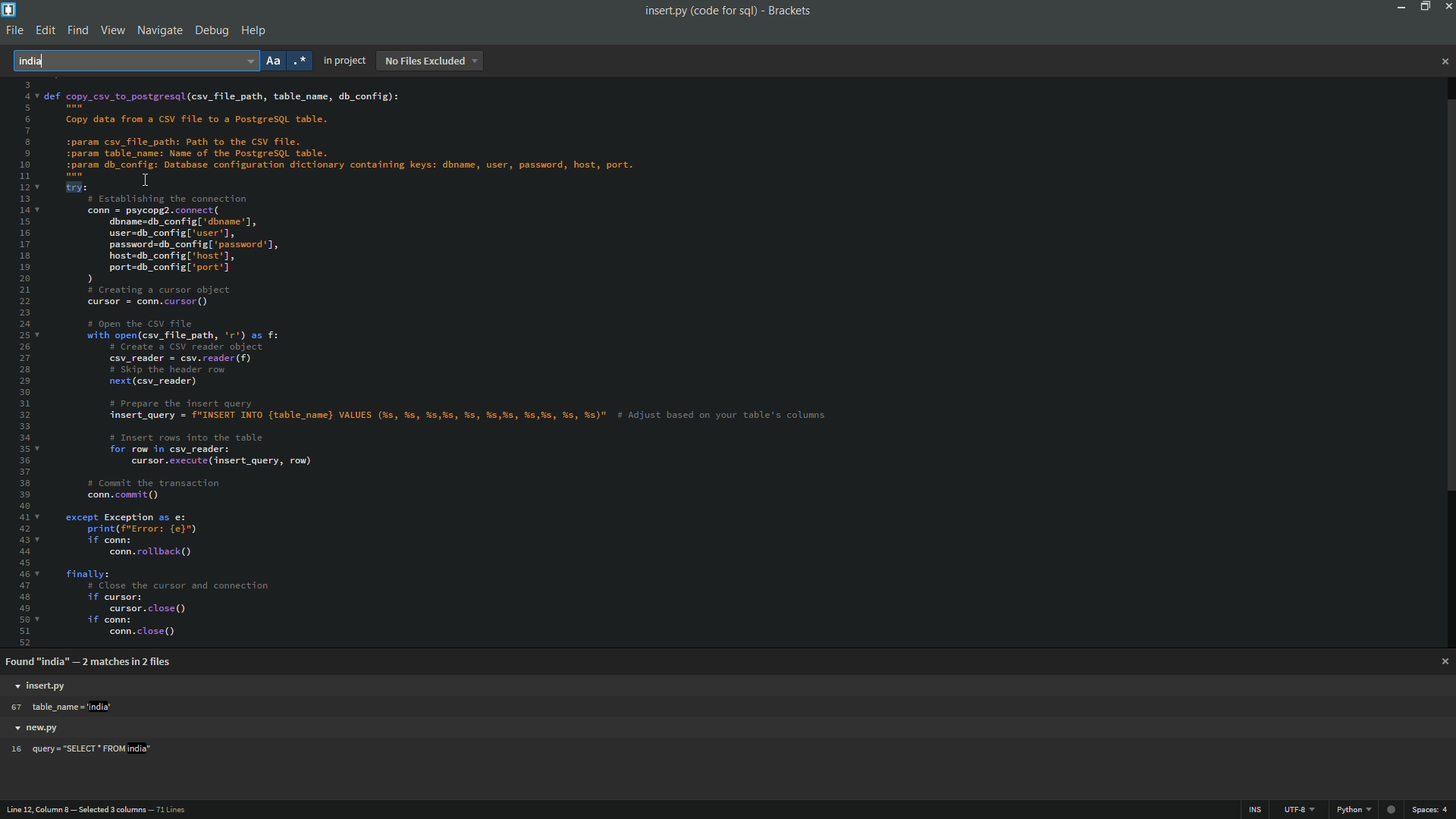  Describe the element at coordinates (452, 366) in the screenshot. I see `code` at that location.